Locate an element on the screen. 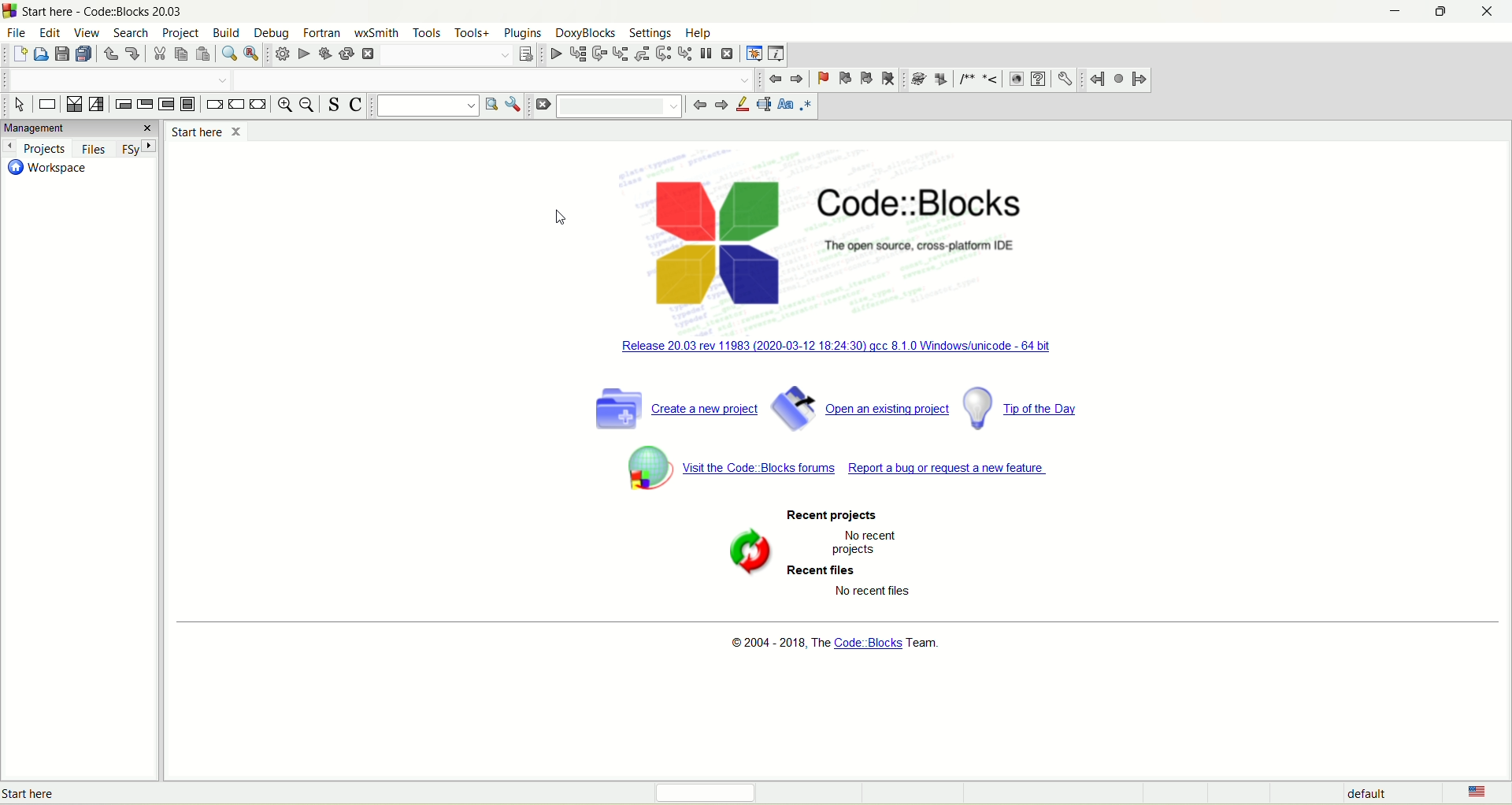 The height and width of the screenshot is (805, 1512). text is located at coordinates (878, 591).